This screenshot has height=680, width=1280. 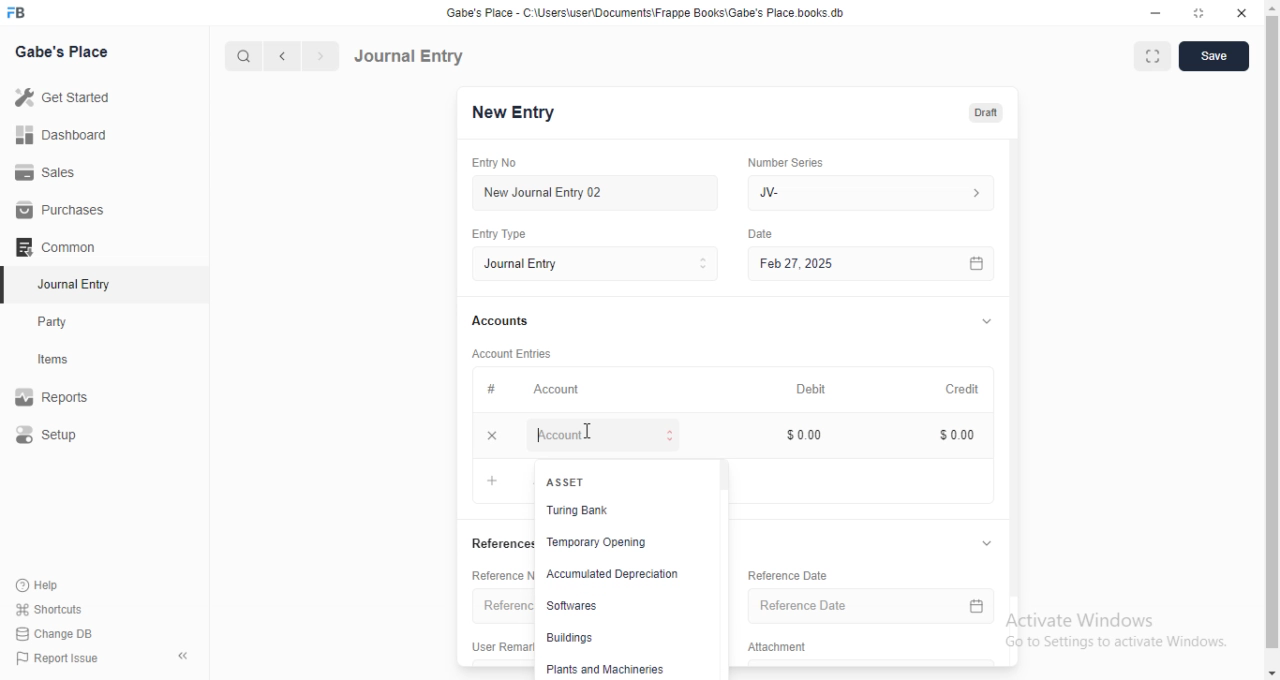 I want to click on New entry, so click(x=527, y=114).